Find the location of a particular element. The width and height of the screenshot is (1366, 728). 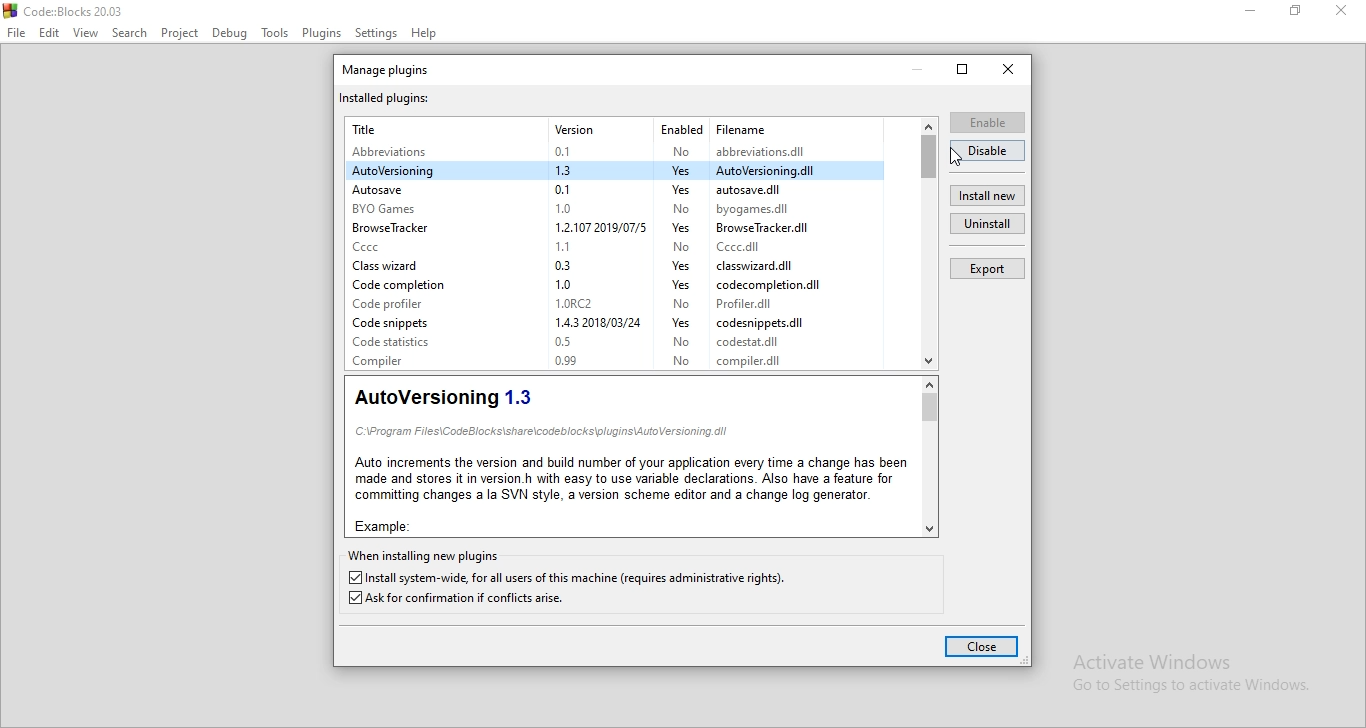

Profiler.dll is located at coordinates (757, 303).